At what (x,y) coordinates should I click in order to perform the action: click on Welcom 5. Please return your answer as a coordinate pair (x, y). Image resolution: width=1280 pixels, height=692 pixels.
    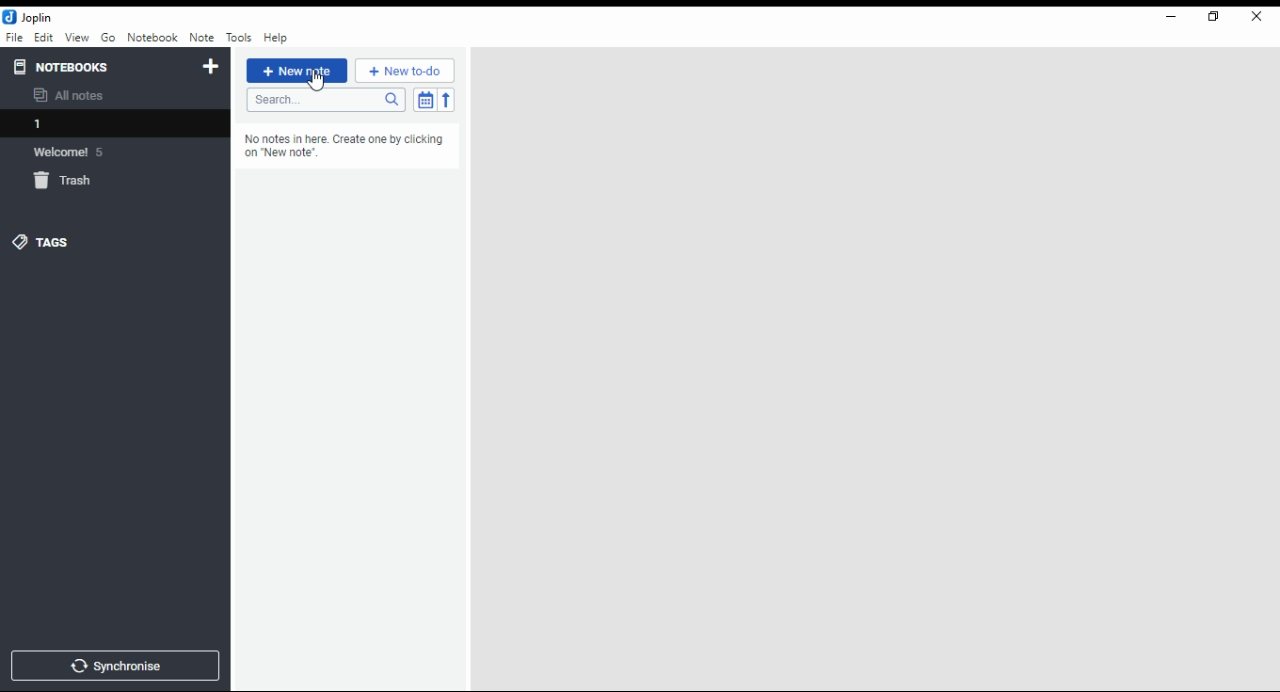
    Looking at the image, I should click on (76, 152).